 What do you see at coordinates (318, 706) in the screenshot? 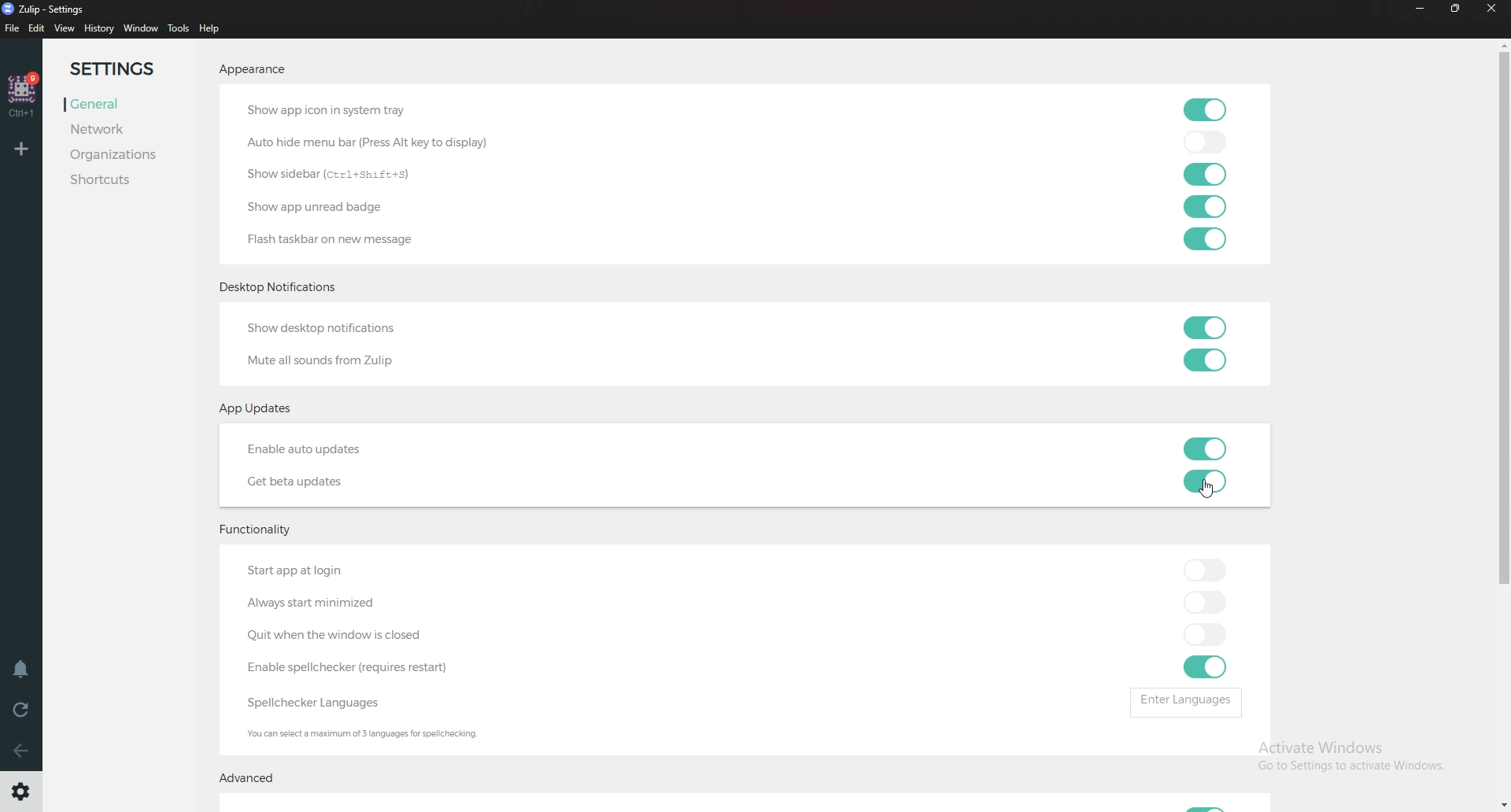
I see `Spell checker language` at bounding box center [318, 706].